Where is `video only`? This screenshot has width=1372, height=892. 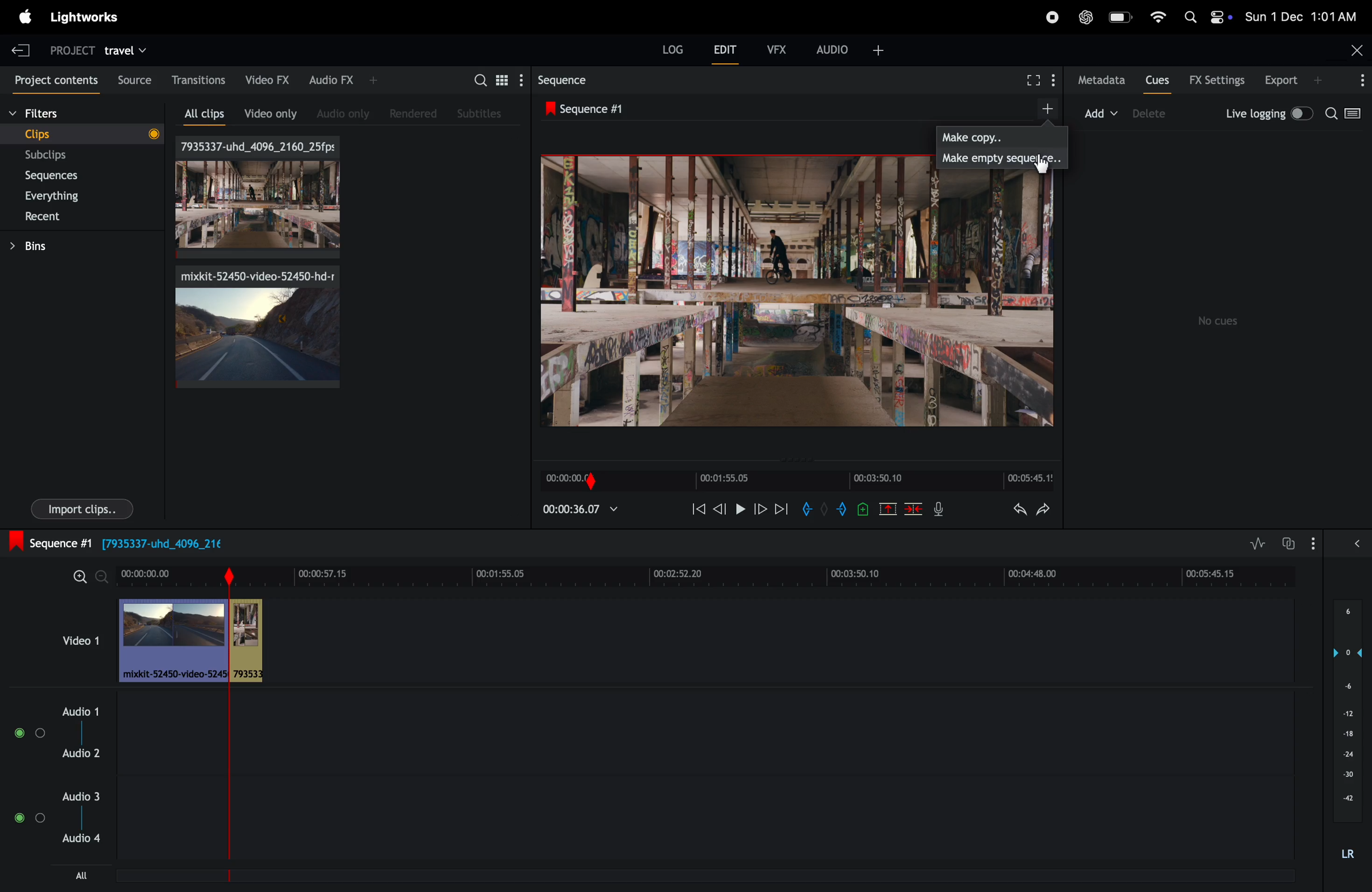 video only is located at coordinates (270, 112).